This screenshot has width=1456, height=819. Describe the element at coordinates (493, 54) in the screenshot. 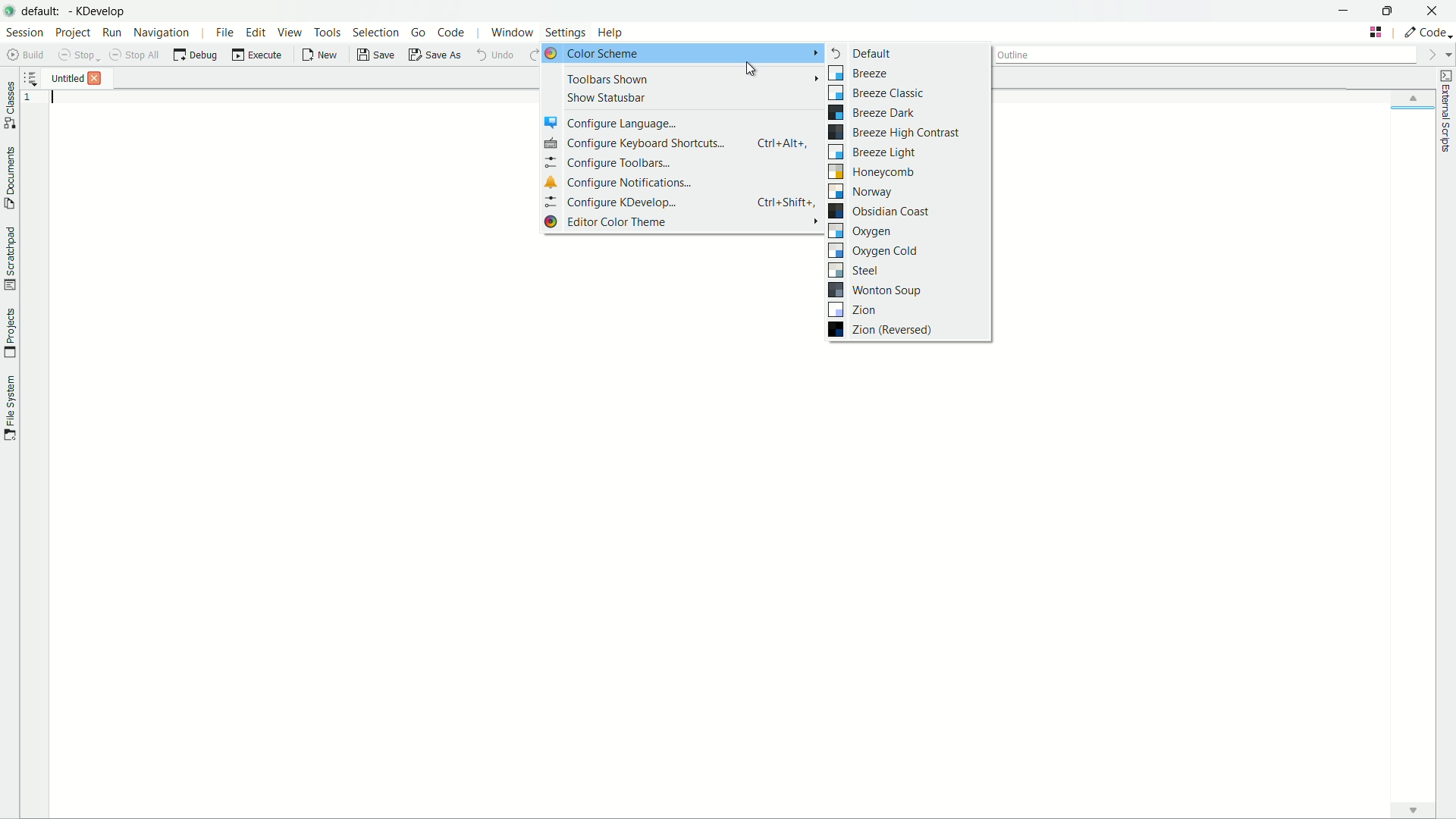

I see `undo` at that location.